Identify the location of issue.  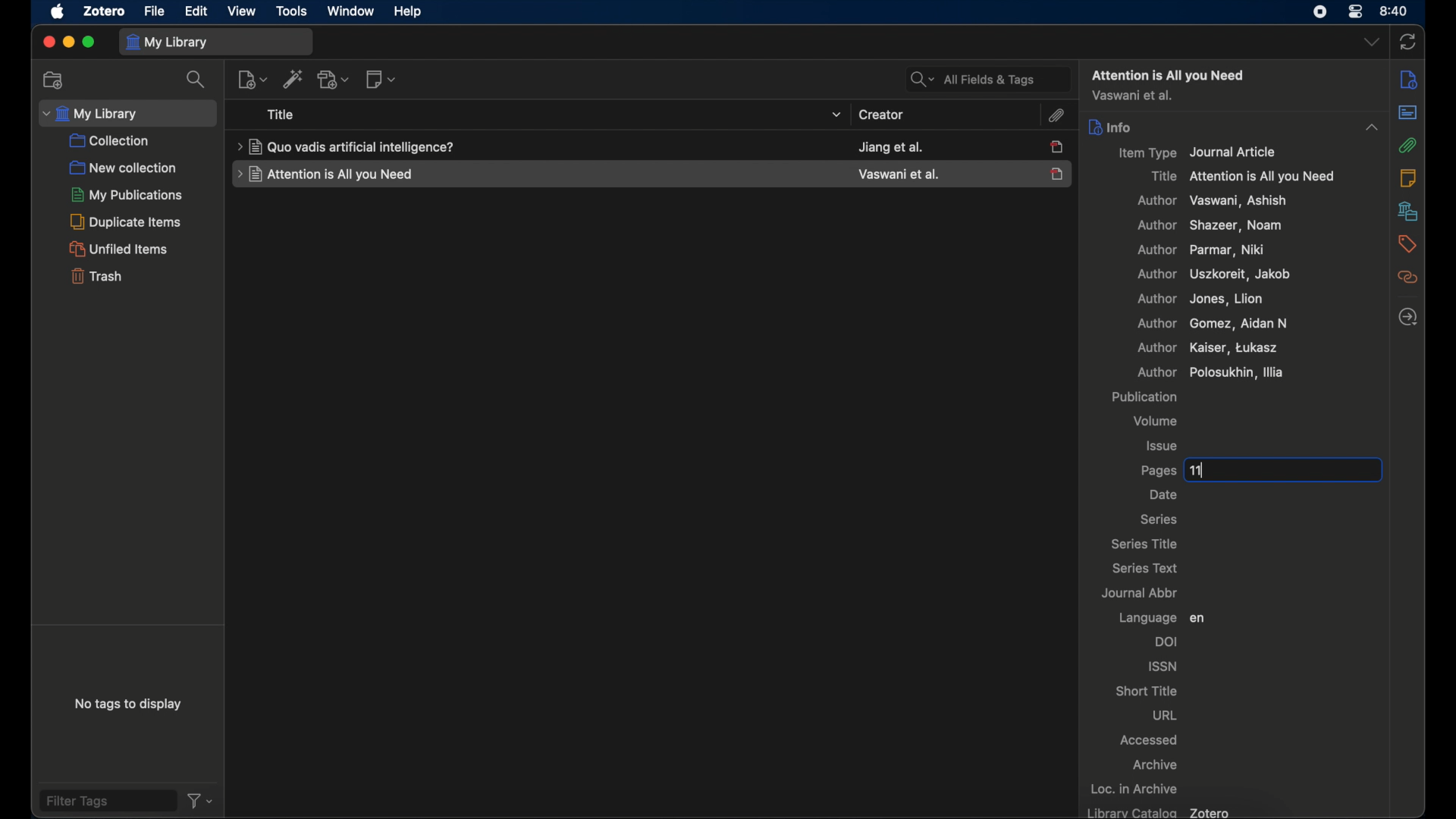
(1163, 445).